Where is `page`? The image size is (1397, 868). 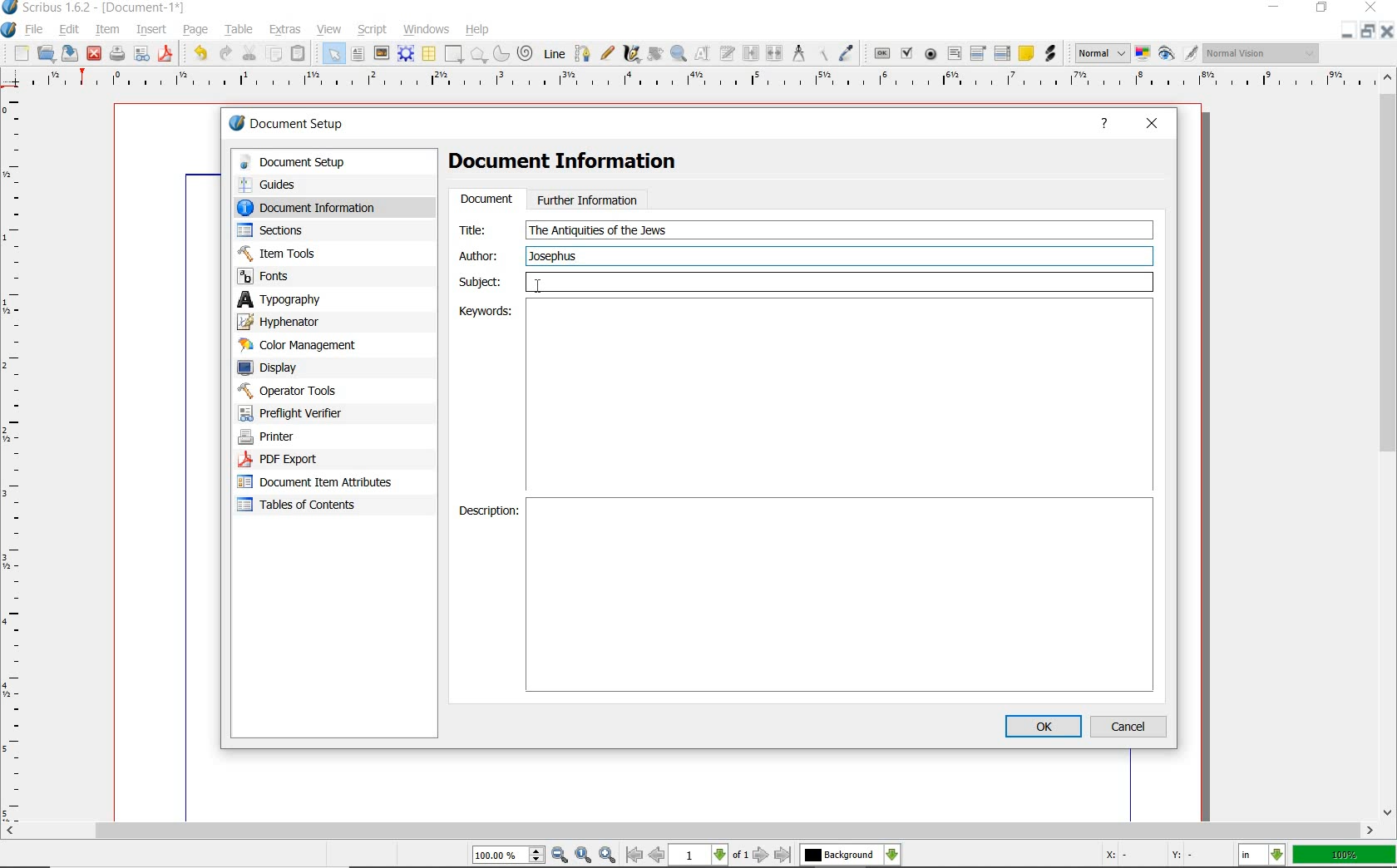
page is located at coordinates (199, 30).